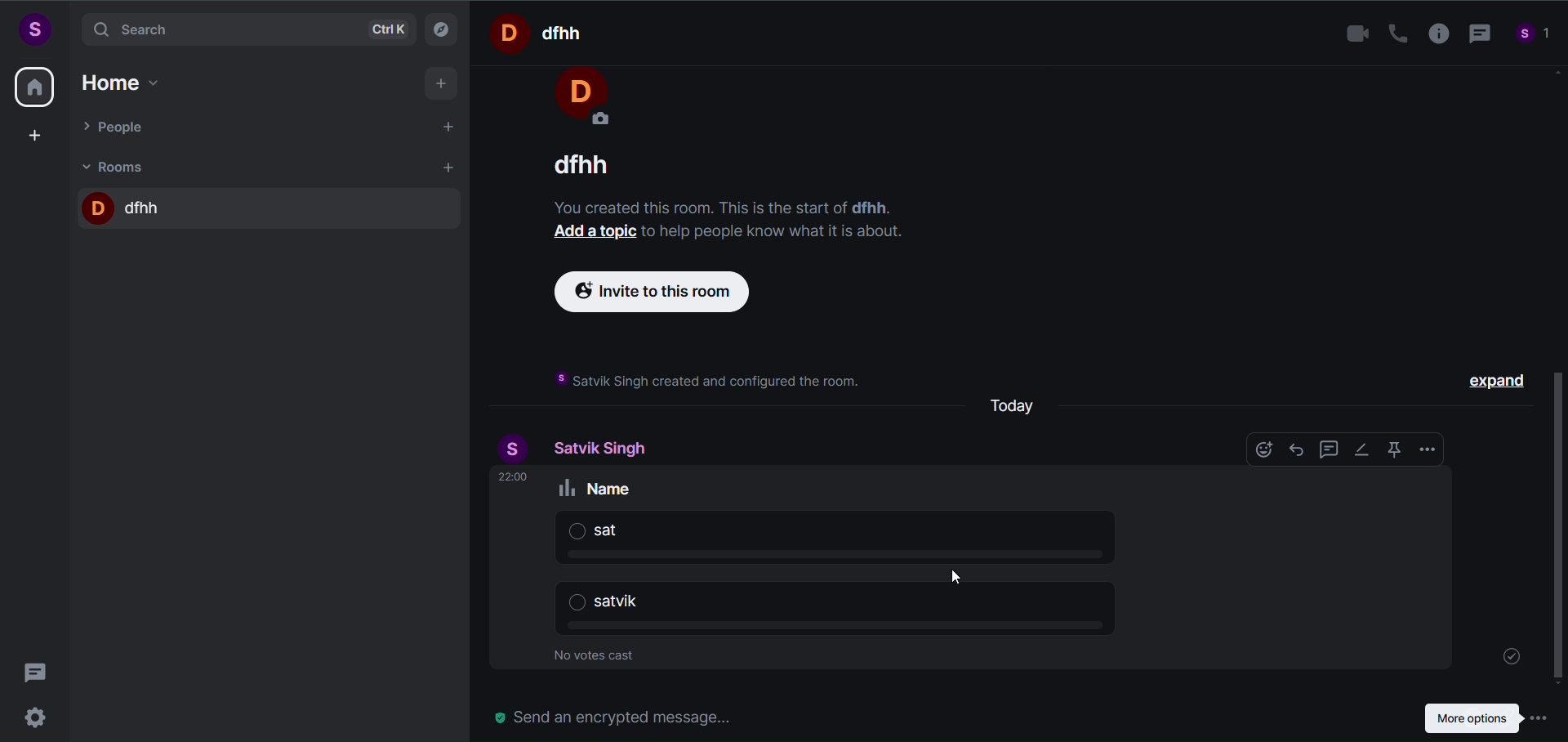  Describe the element at coordinates (646, 294) in the screenshot. I see `Invite to this room` at that location.